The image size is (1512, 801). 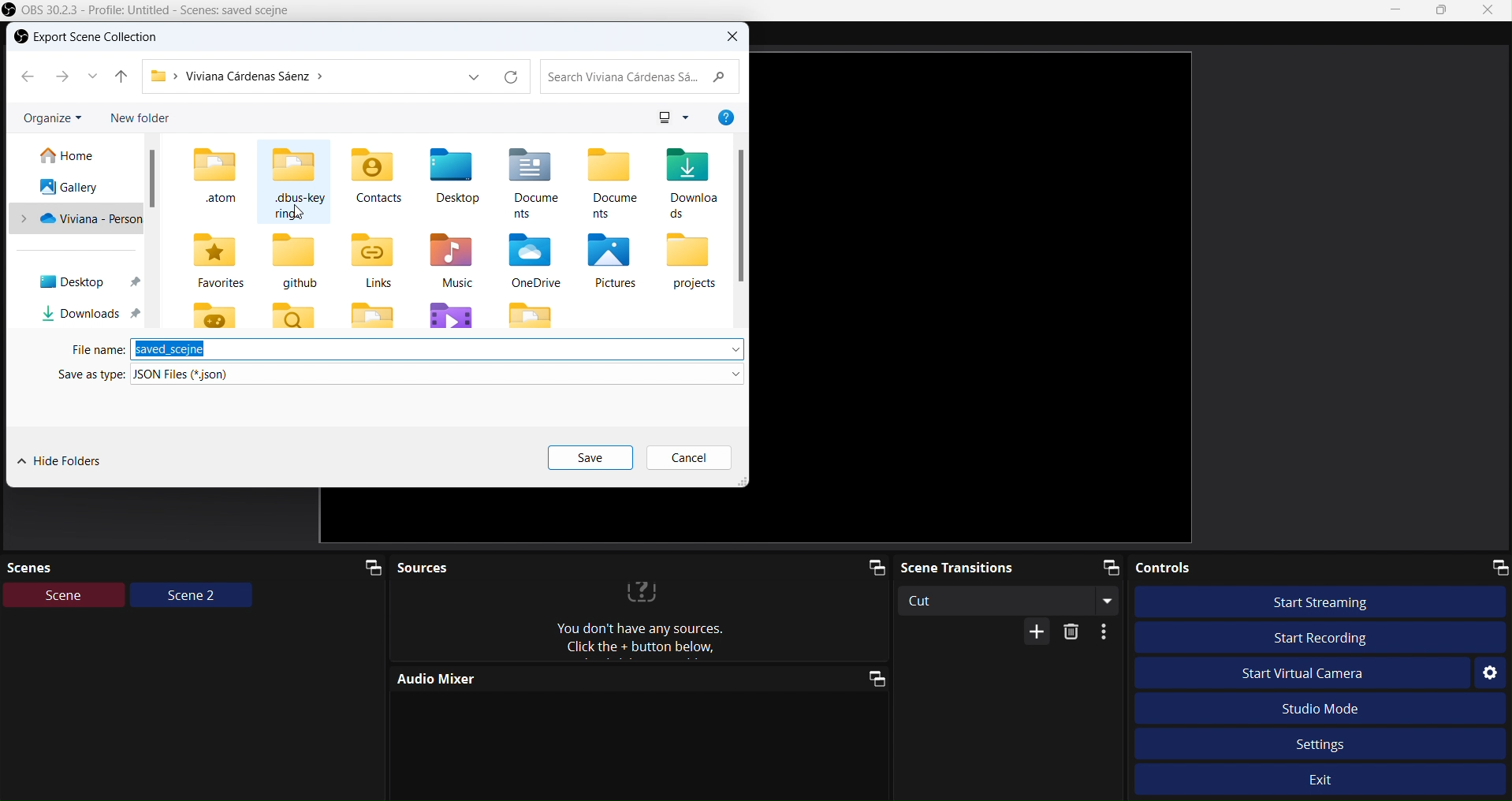 What do you see at coordinates (294, 182) in the screenshot?
I see `.dbus-key
rind` at bounding box center [294, 182].